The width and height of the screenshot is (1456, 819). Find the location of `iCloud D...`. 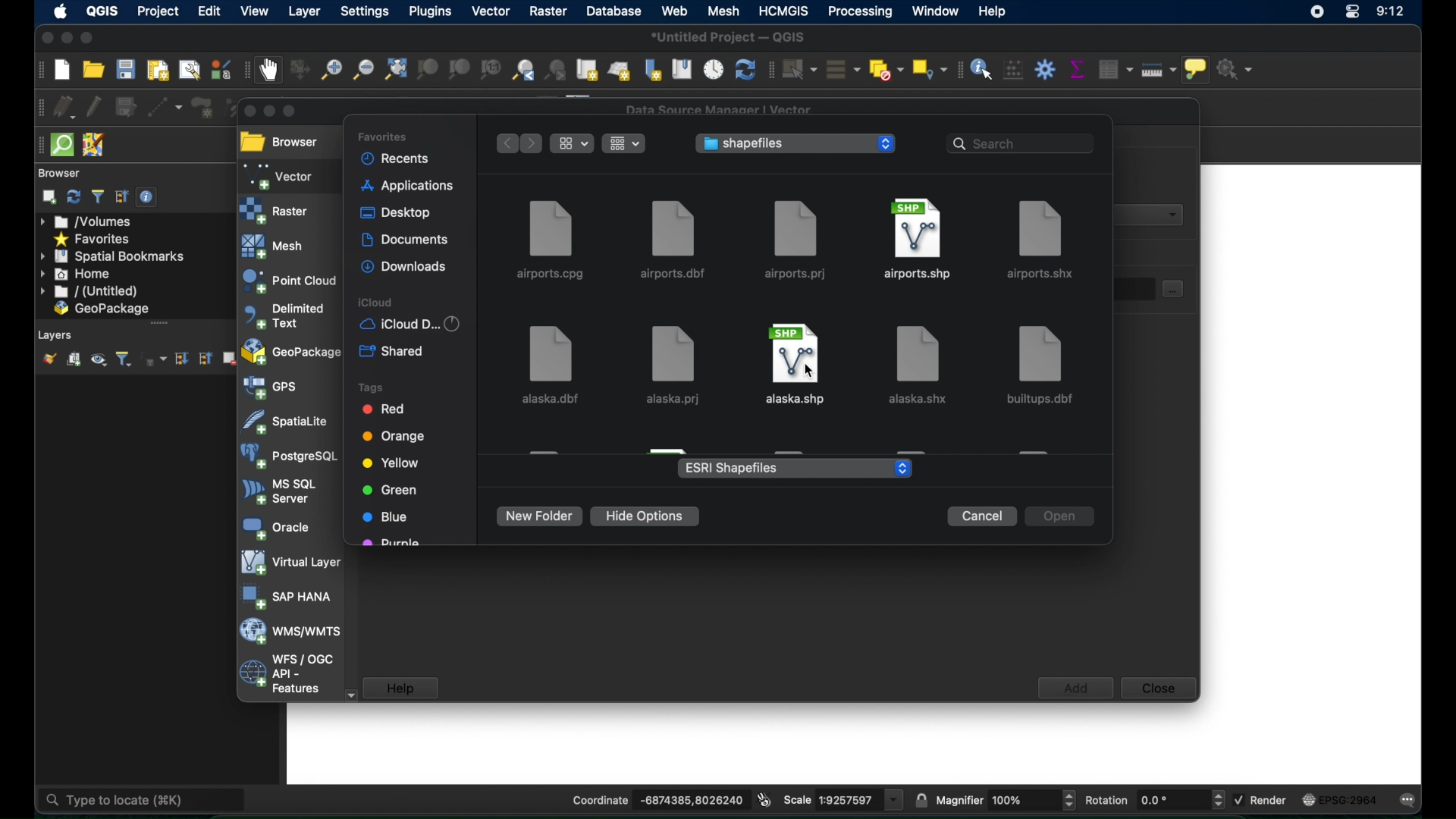

iCloud D... is located at coordinates (410, 325).